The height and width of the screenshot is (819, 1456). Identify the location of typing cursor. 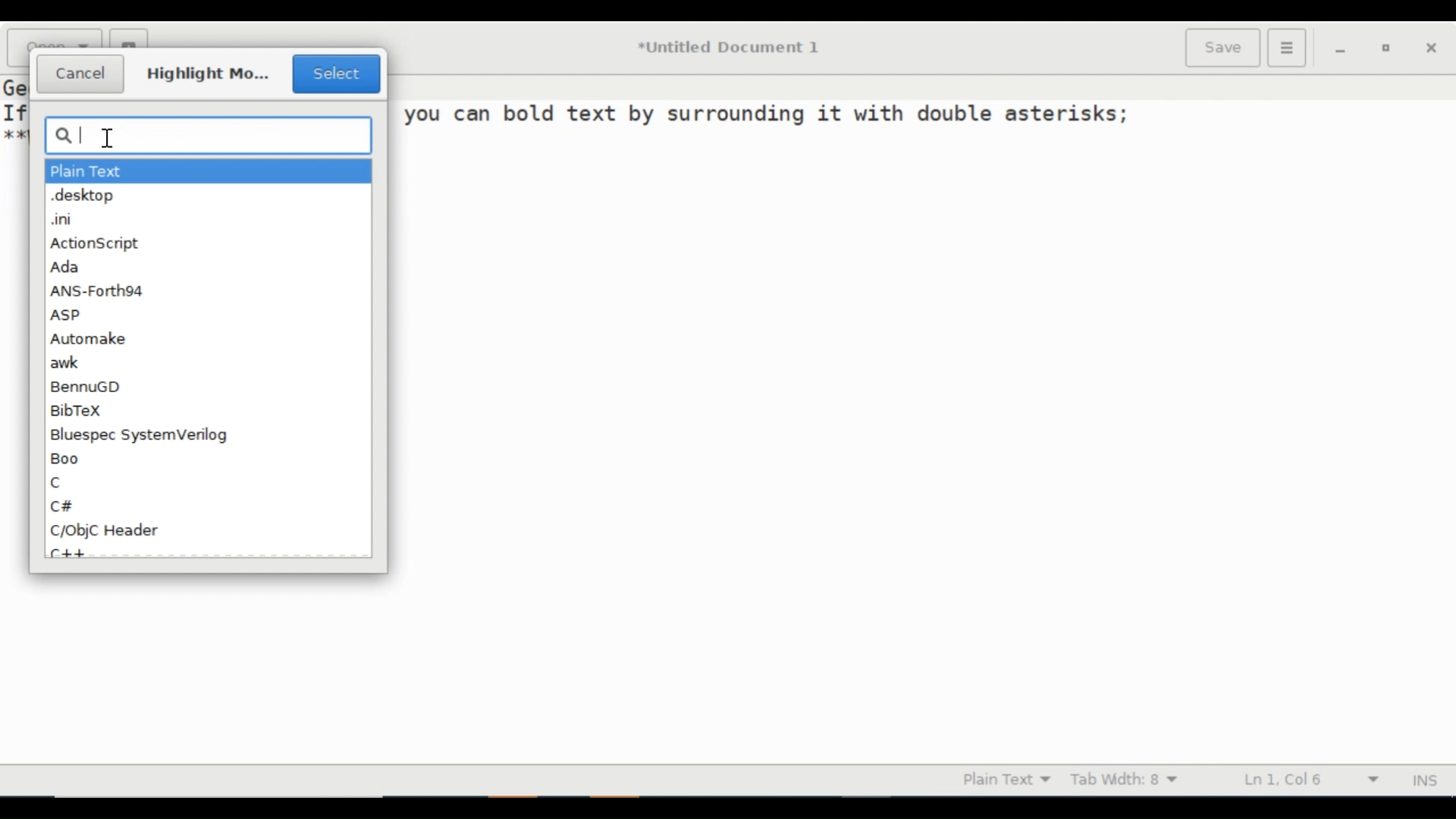
(108, 140).